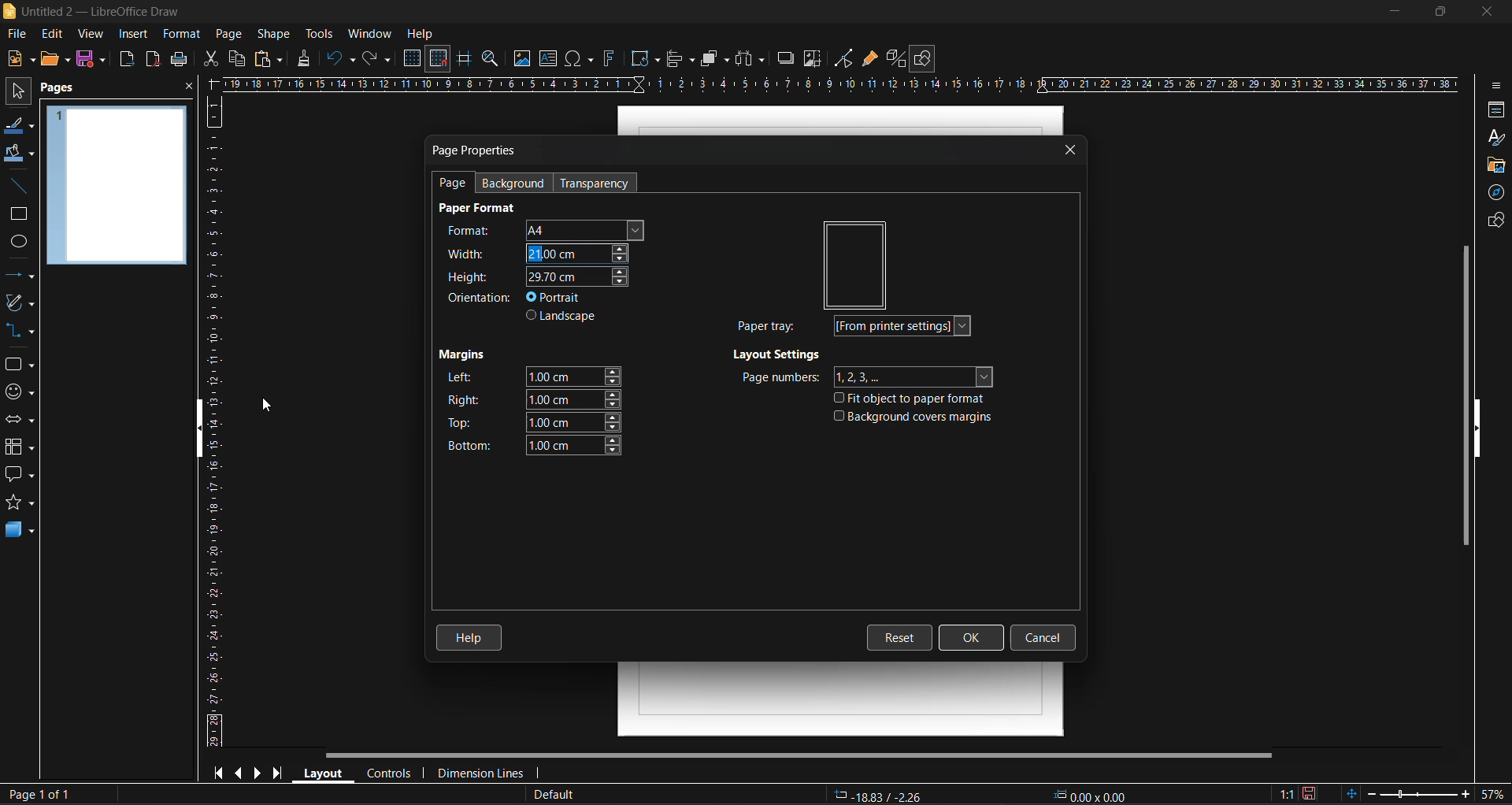  I want to click on fit object to paper format, so click(915, 401).